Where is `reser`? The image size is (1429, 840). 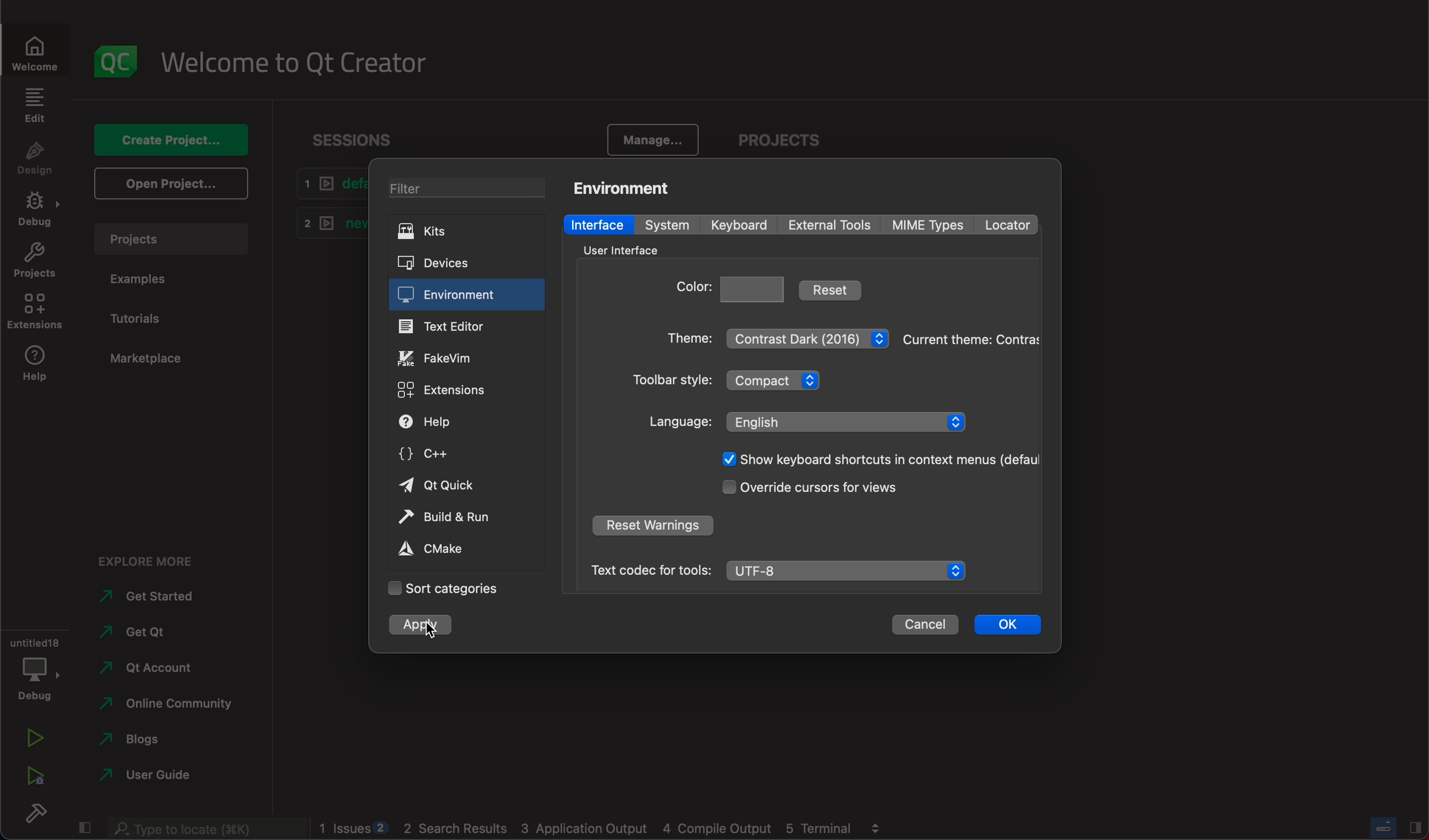
reser is located at coordinates (656, 525).